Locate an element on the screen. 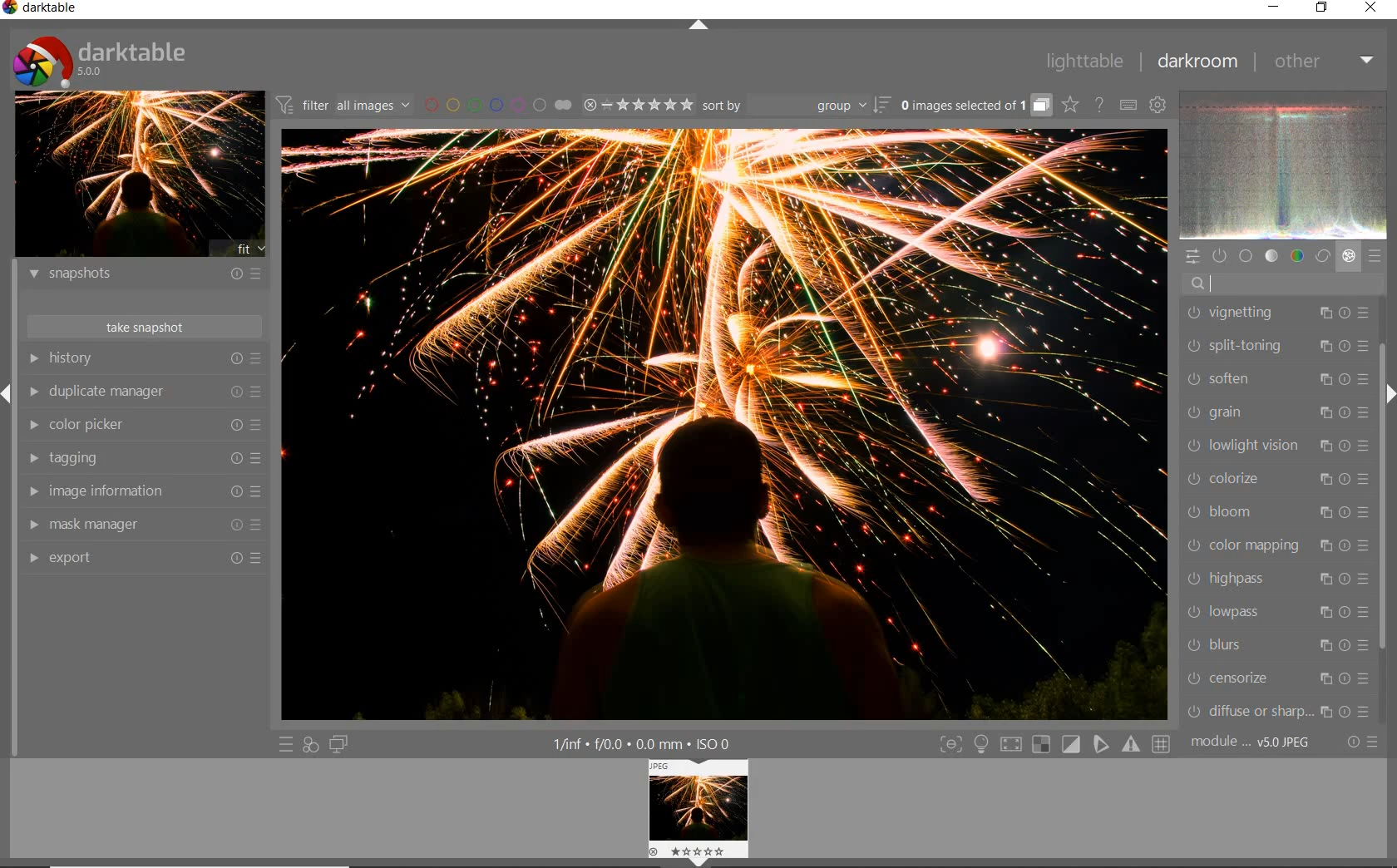 This screenshot has width=1397, height=868. search modules by name is located at coordinates (1283, 283).